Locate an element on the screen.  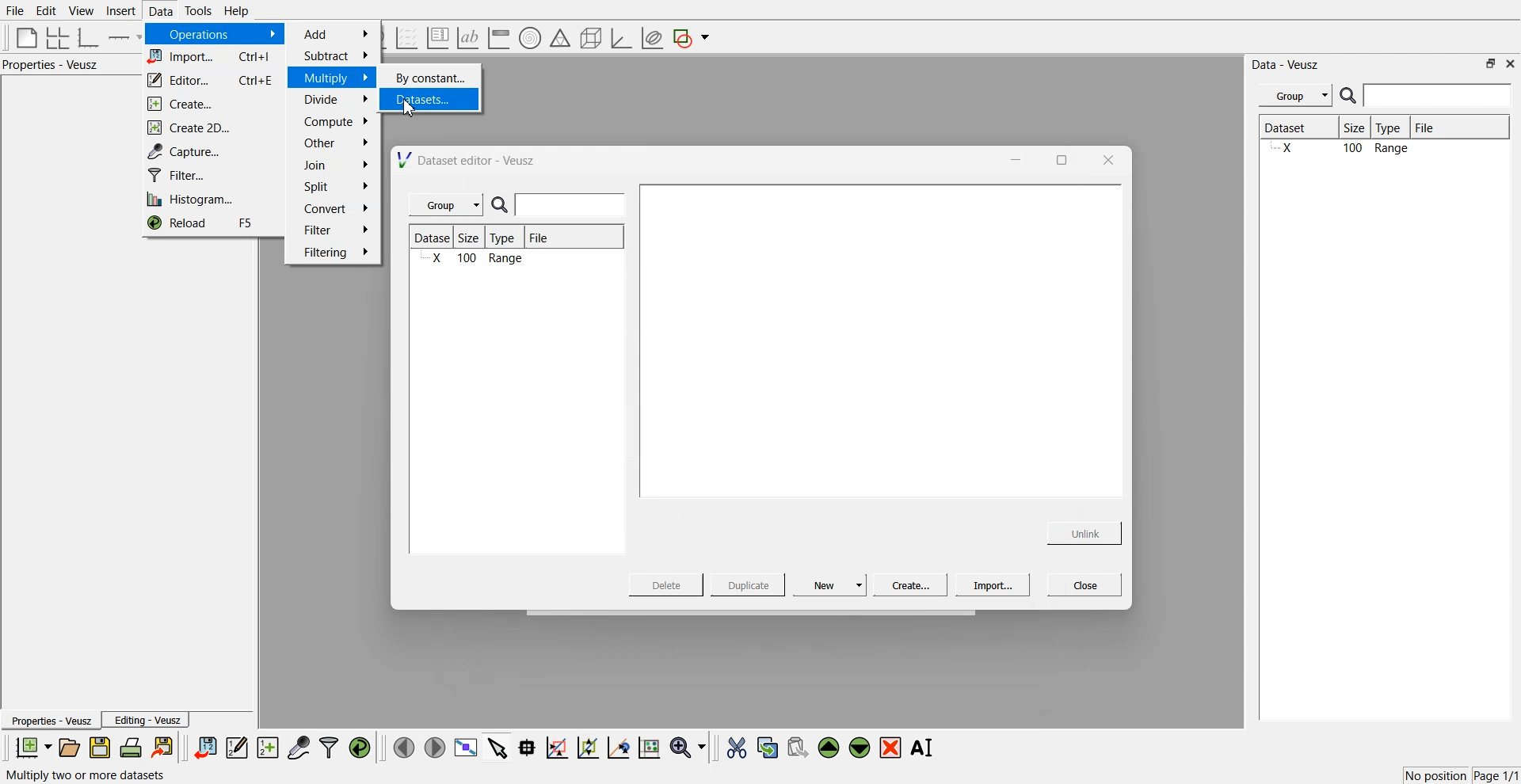
maximise is located at coordinates (1057, 158).